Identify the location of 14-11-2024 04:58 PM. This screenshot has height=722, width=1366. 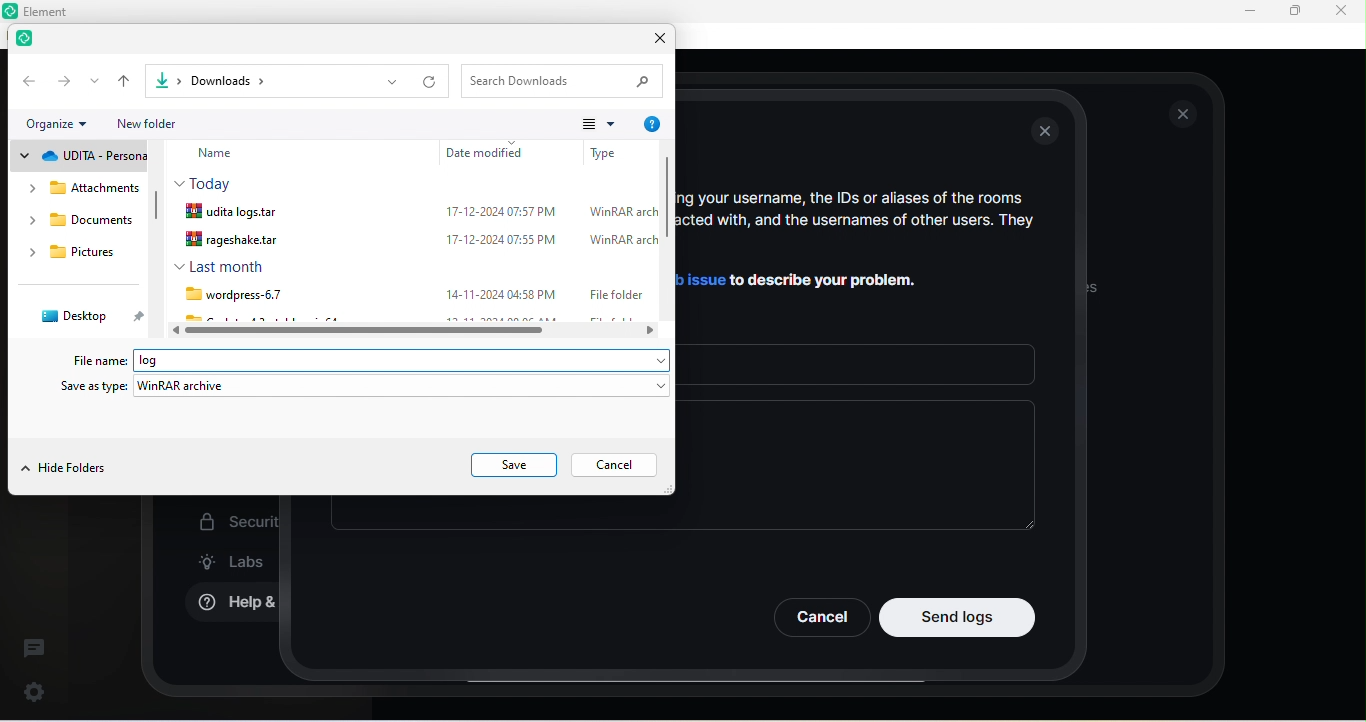
(502, 293).